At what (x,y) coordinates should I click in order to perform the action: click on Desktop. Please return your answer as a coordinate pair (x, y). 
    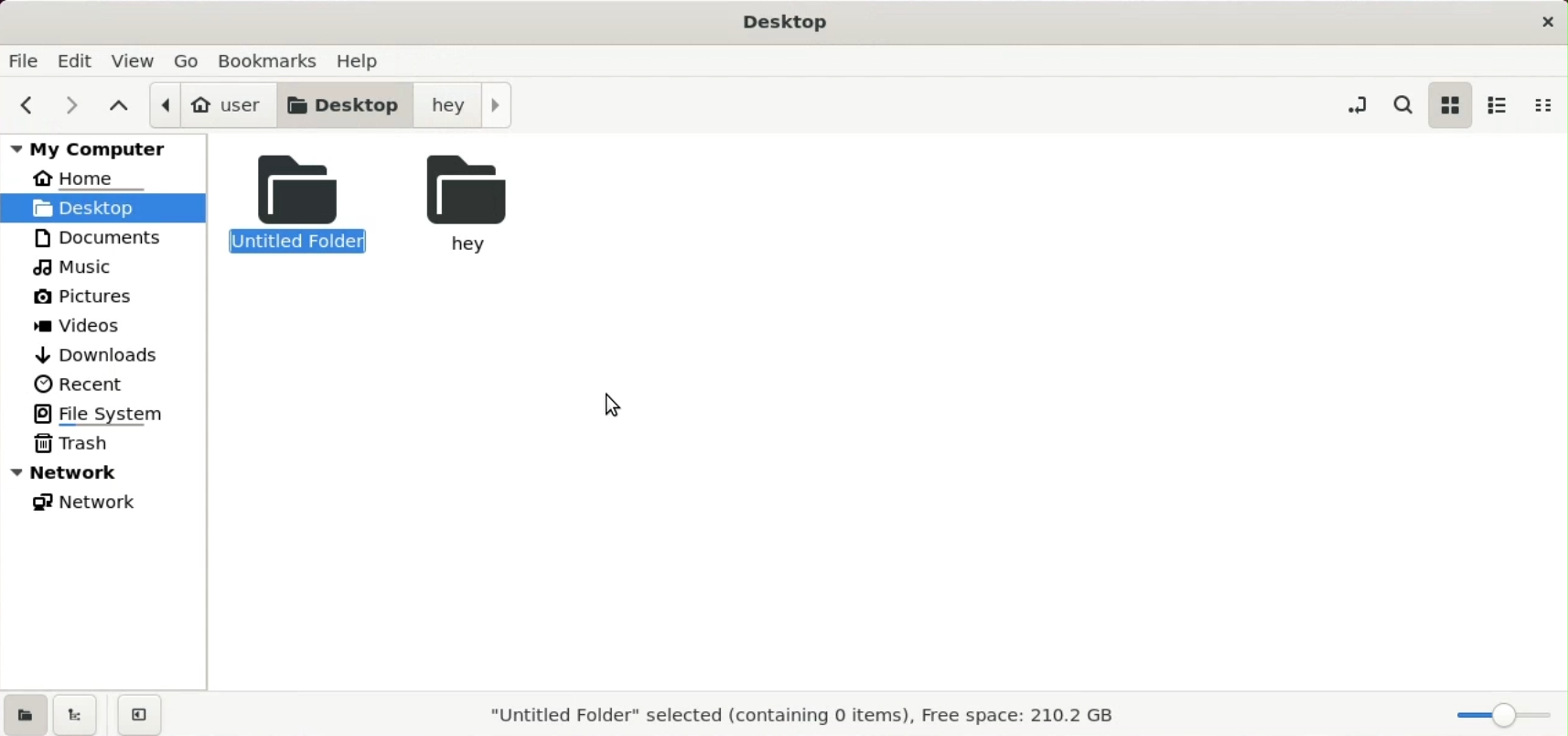
    Looking at the image, I should click on (808, 26).